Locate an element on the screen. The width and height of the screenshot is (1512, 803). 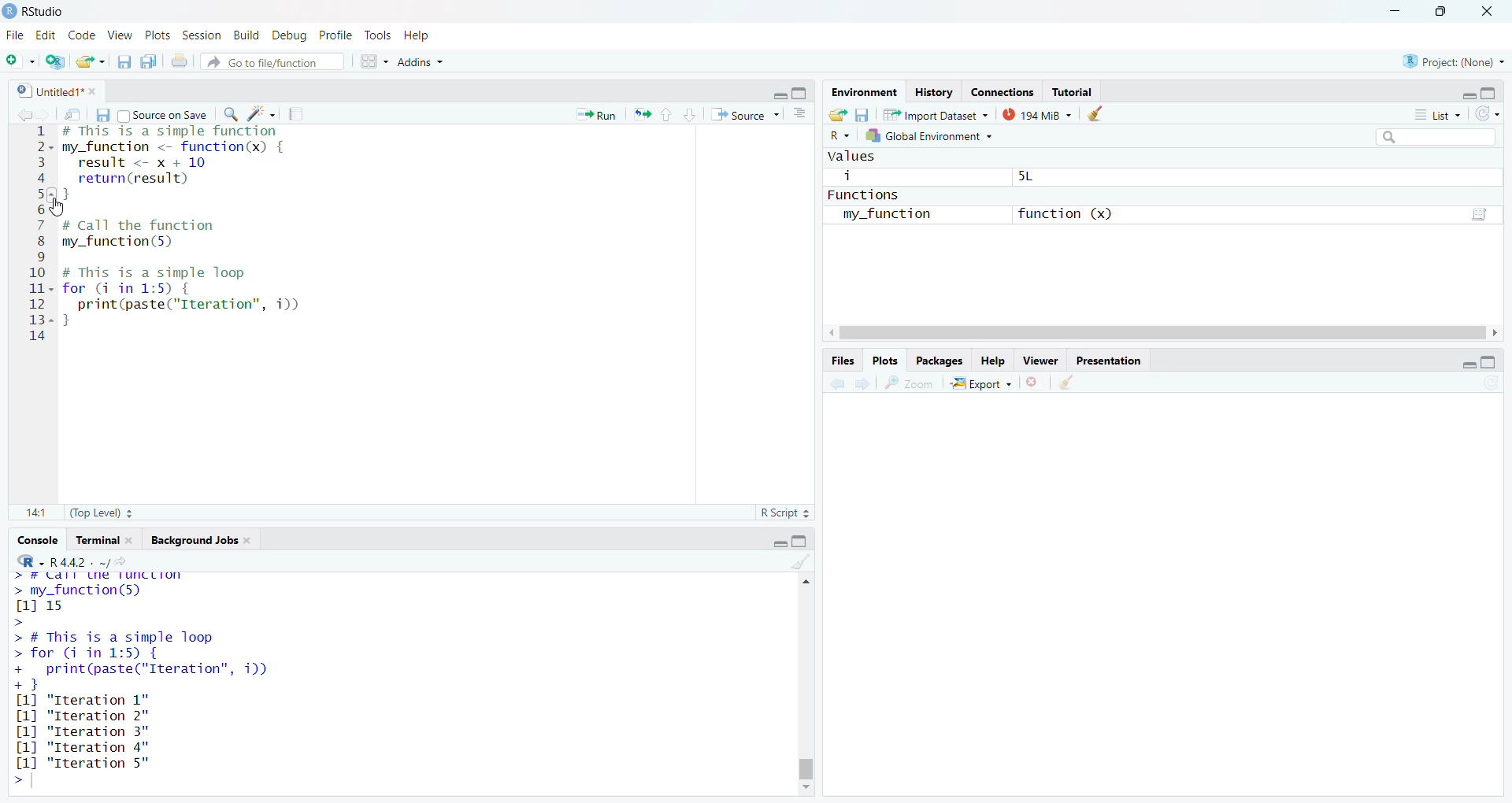
packages is located at coordinates (942, 360).